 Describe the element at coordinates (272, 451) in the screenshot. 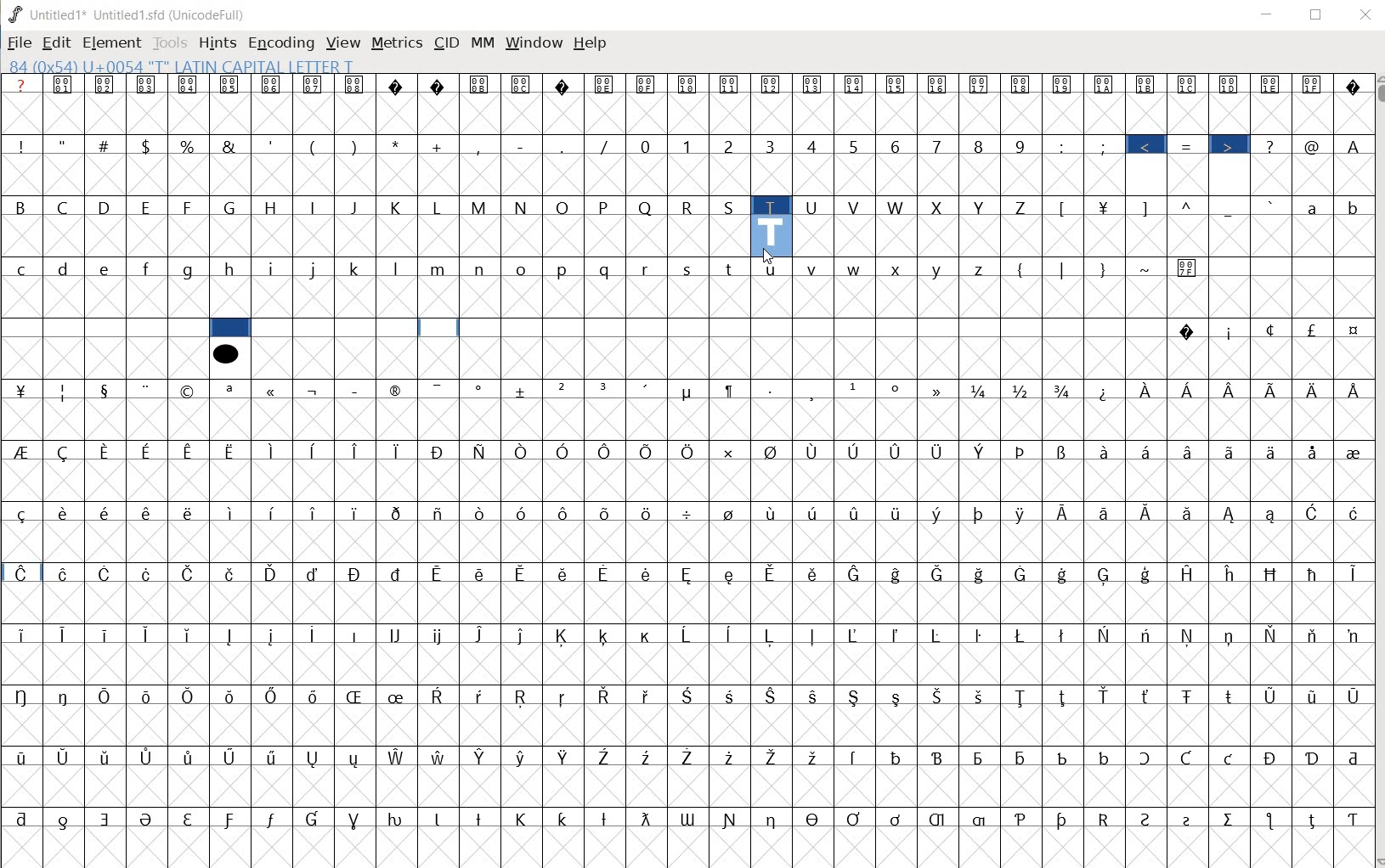

I see `Symbol` at that location.